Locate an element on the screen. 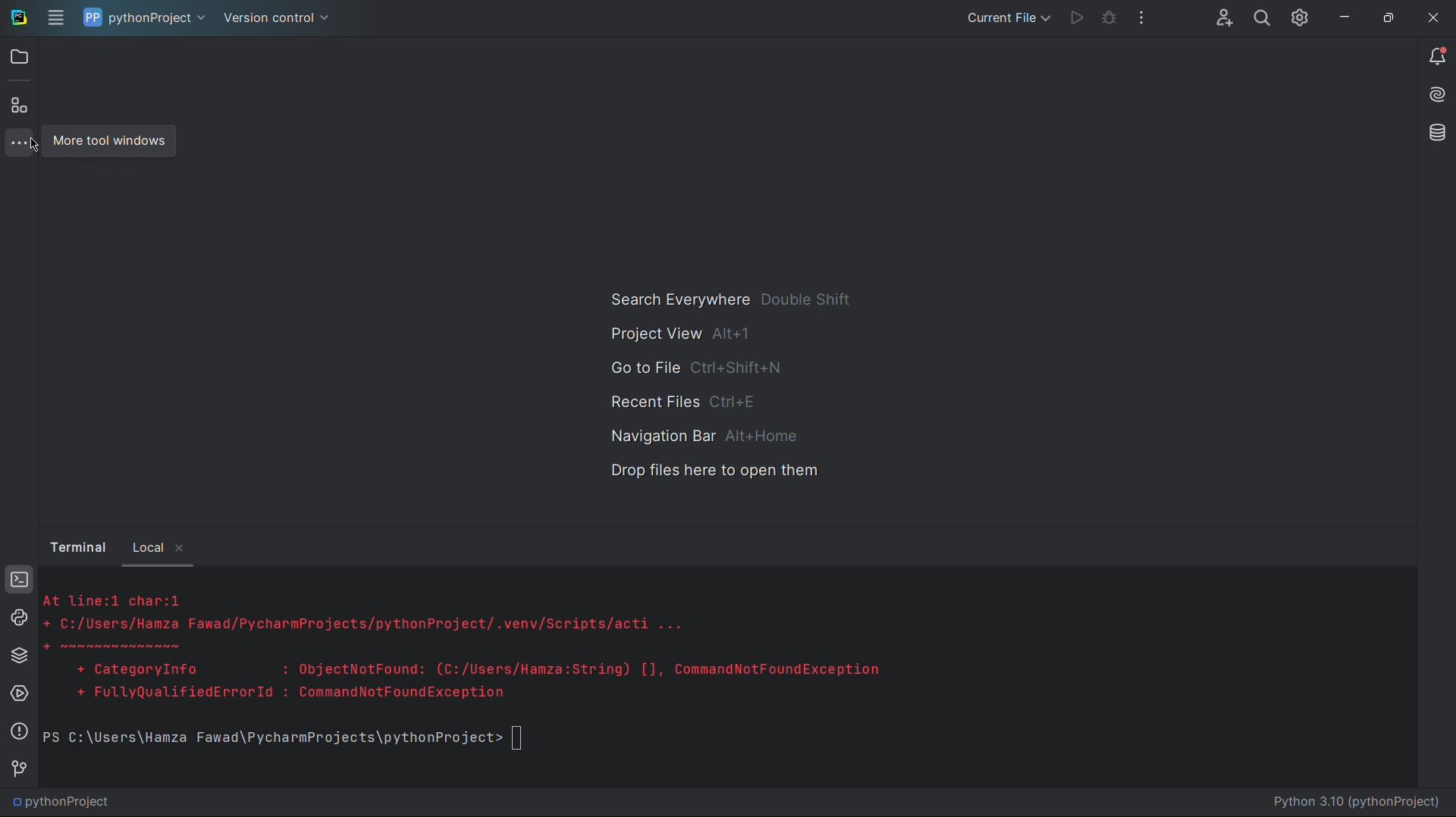 This screenshot has width=1456, height=817. Run is located at coordinates (1077, 12).